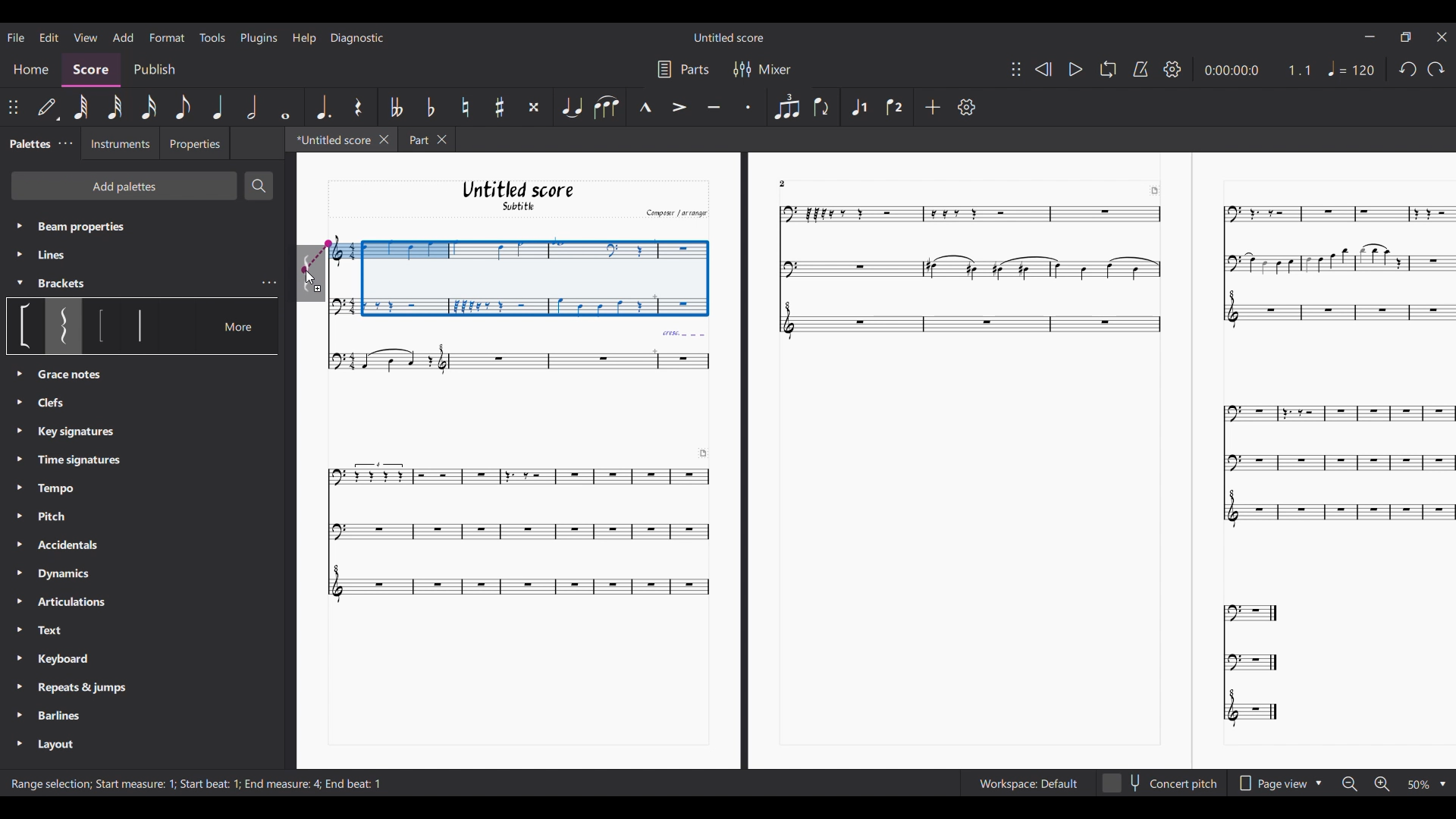 This screenshot has height=819, width=1456. I want to click on Tempo, so click(1354, 68).